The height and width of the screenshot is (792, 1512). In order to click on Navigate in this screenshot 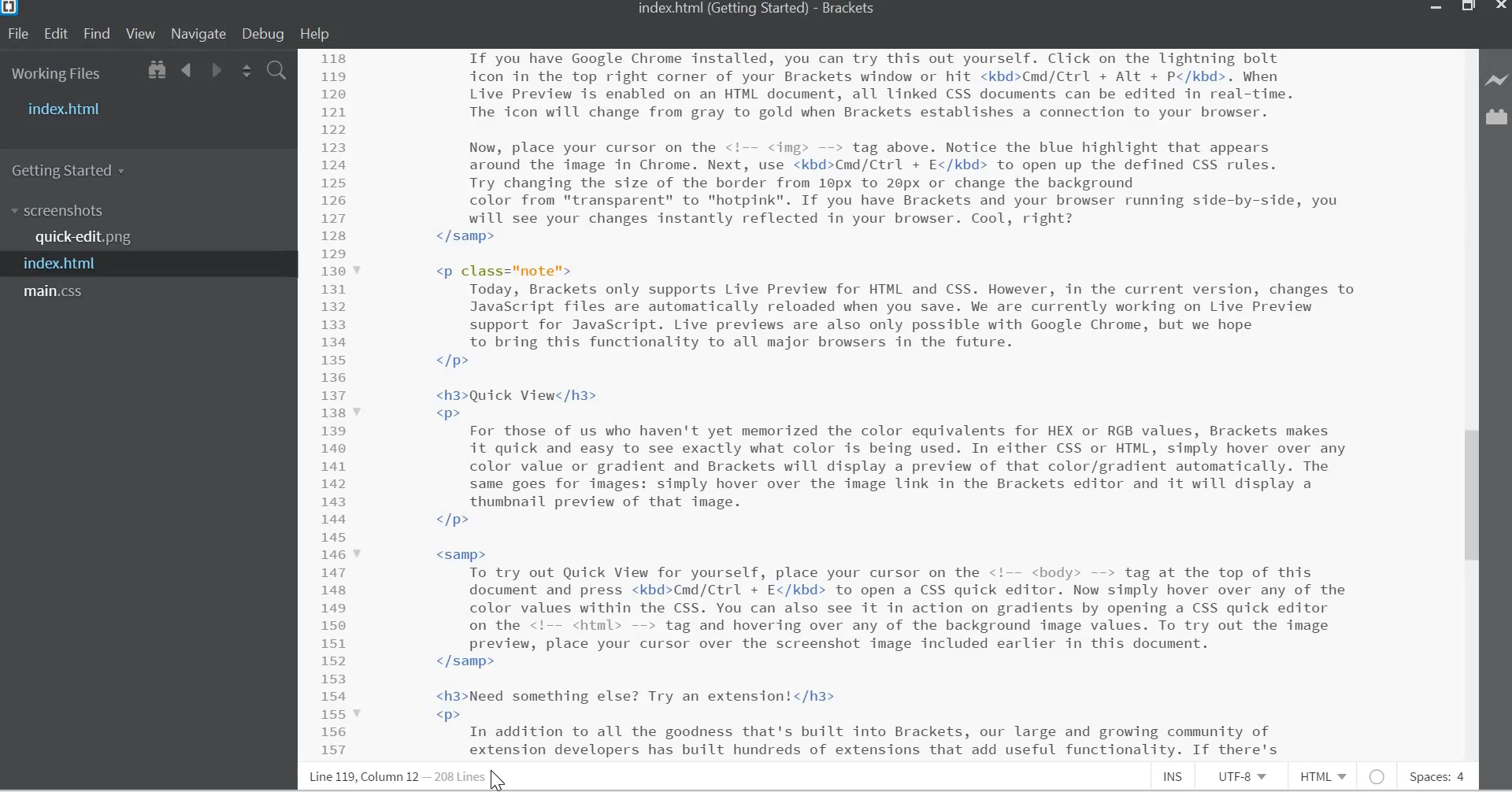, I will do `click(198, 35)`.